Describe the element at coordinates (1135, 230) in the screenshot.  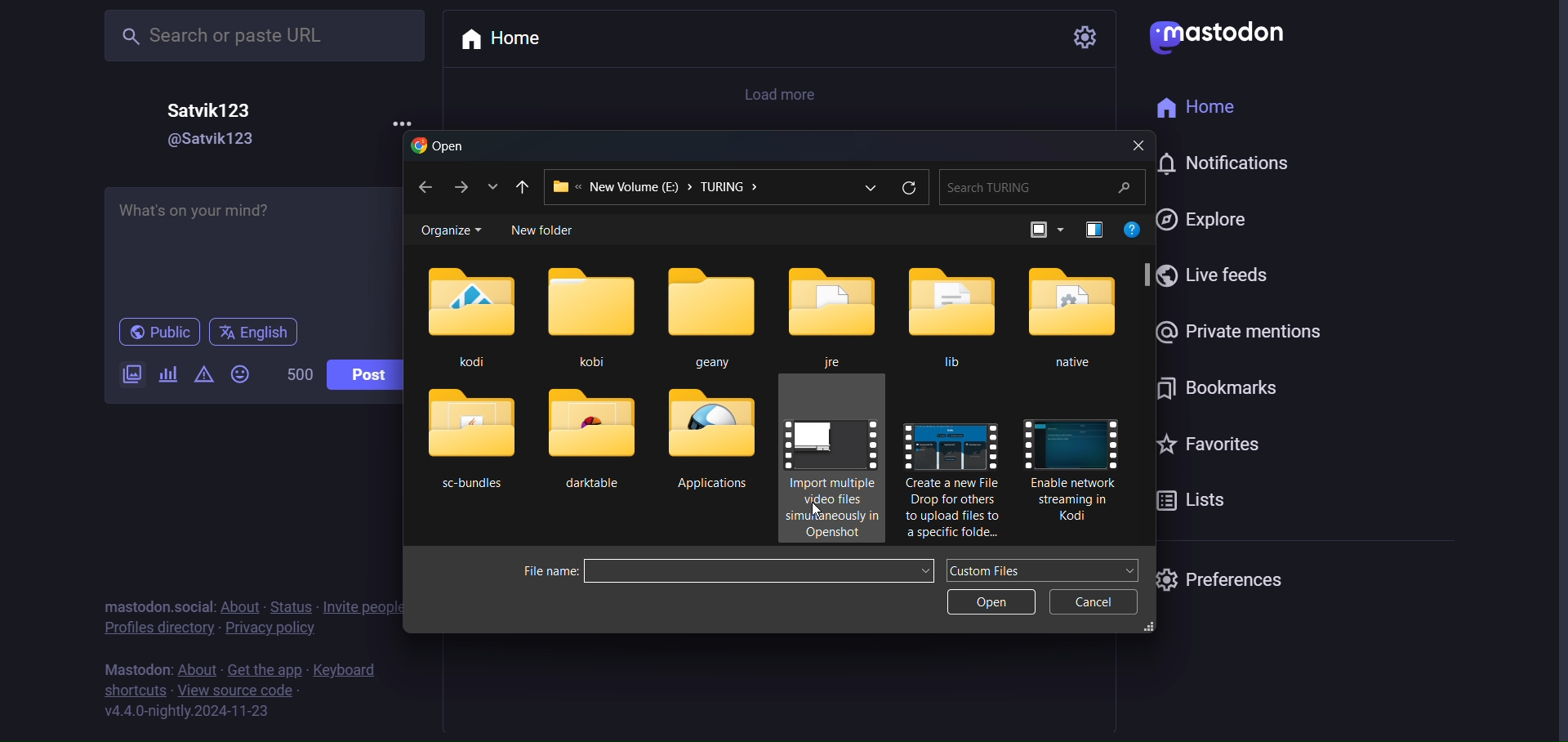
I see `help` at that location.